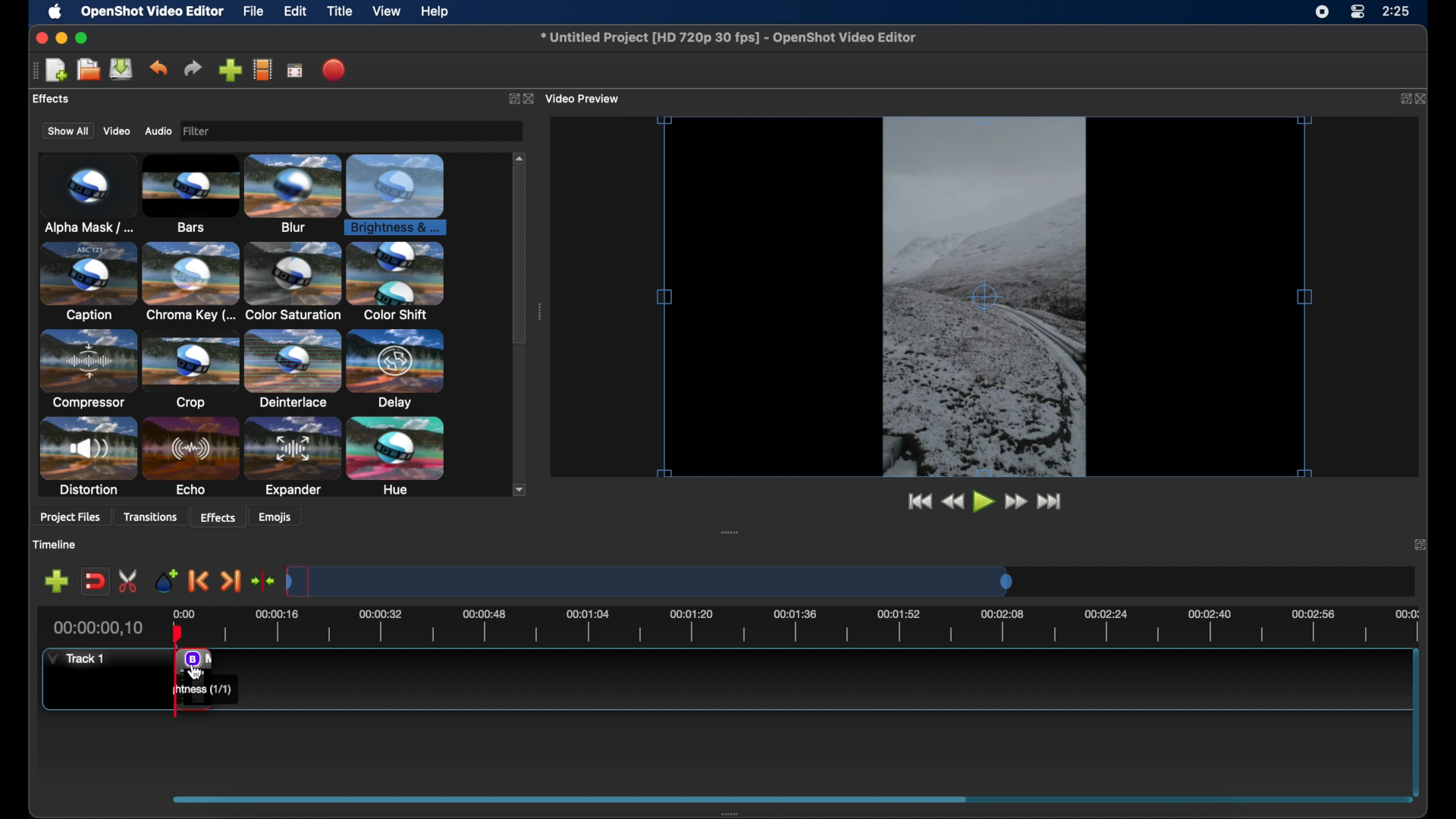 This screenshot has height=819, width=1456. Describe the element at coordinates (264, 71) in the screenshot. I see `explore profiles` at that location.